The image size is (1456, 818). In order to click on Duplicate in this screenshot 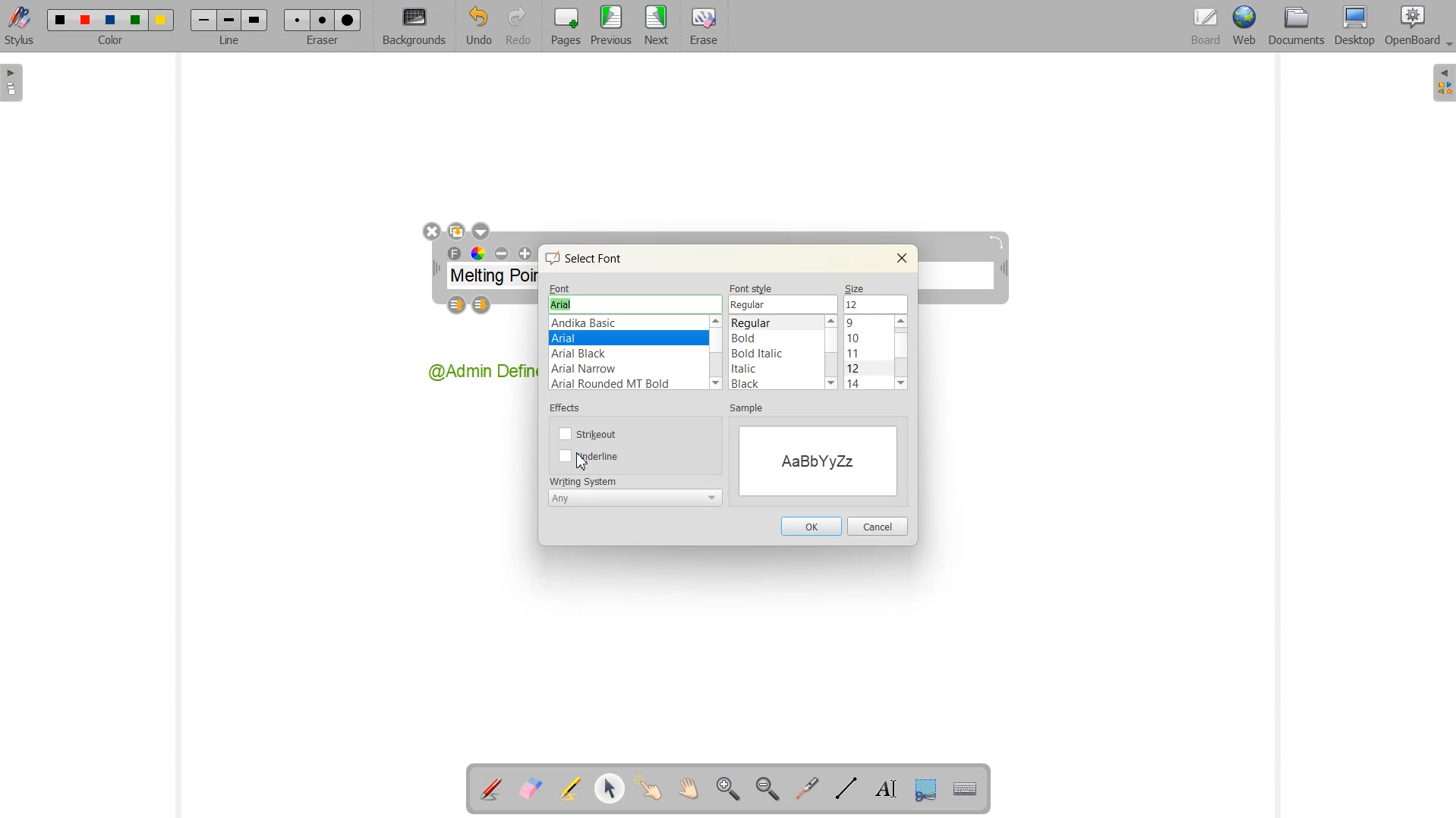, I will do `click(456, 231)`.